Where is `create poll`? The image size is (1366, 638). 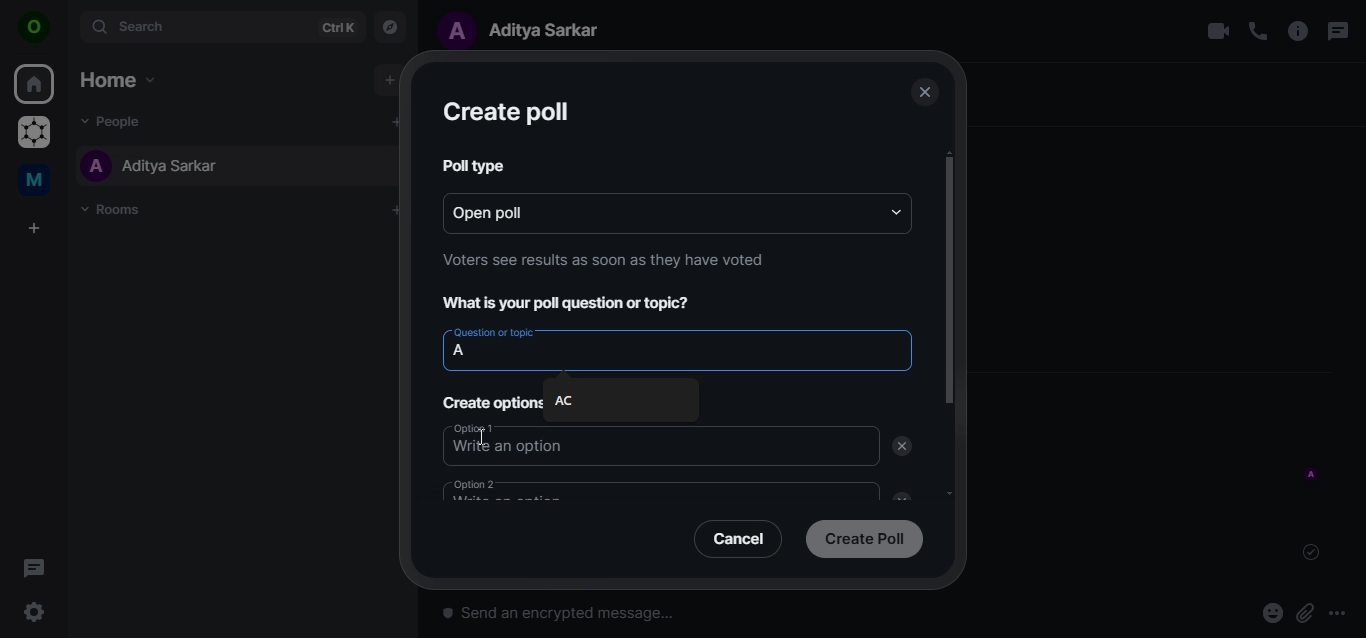
create poll is located at coordinates (864, 537).